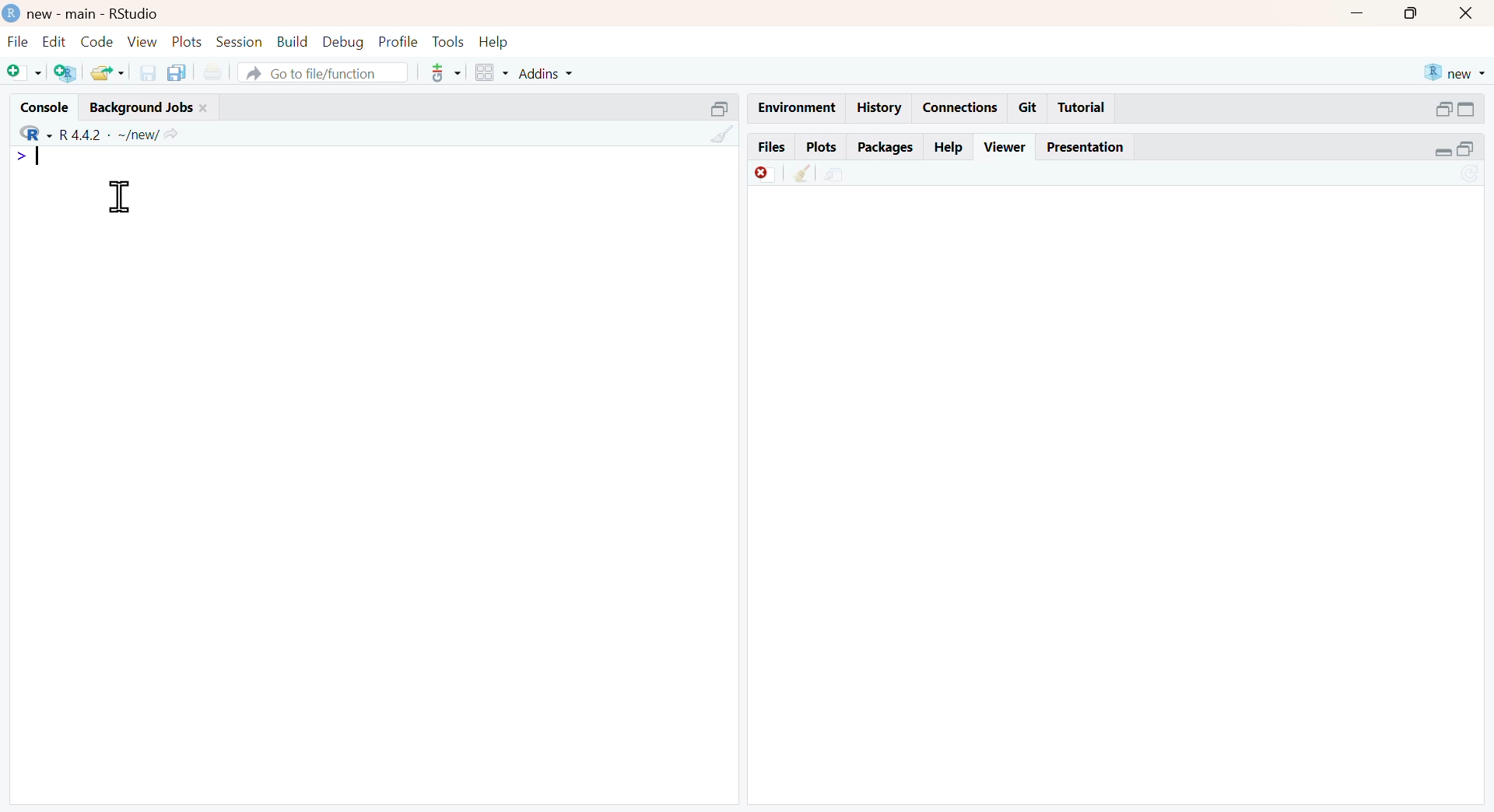 This screenshot has width=1494, height=812. What do you see at coordinates (881, 107) in the screenshot?
I see `history` at bounding box center [881, 107].